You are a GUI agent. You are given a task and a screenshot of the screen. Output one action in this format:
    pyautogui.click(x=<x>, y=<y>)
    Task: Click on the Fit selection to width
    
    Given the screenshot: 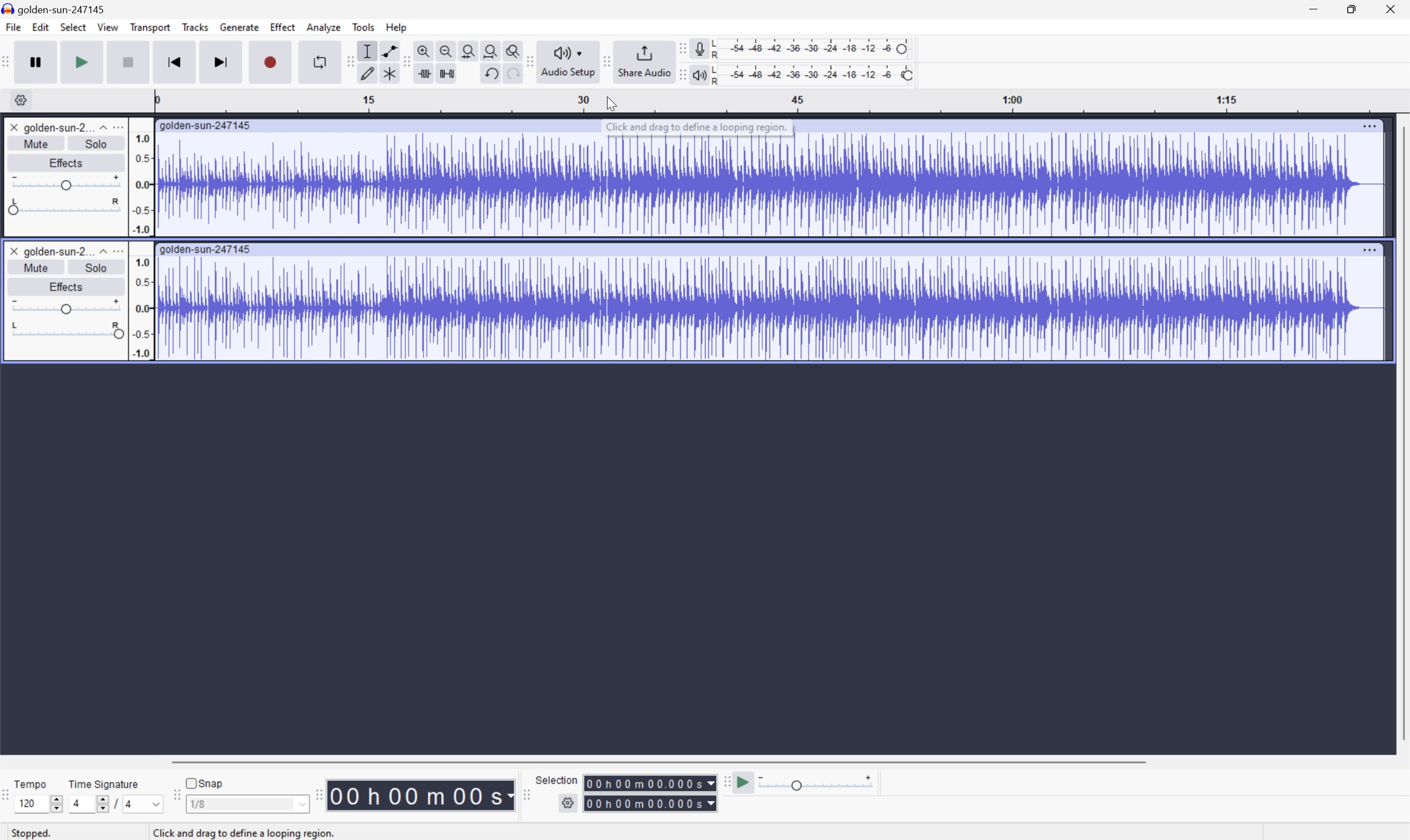 What is the action you would take?
    pyautogui.click(x=466, y=49)
    